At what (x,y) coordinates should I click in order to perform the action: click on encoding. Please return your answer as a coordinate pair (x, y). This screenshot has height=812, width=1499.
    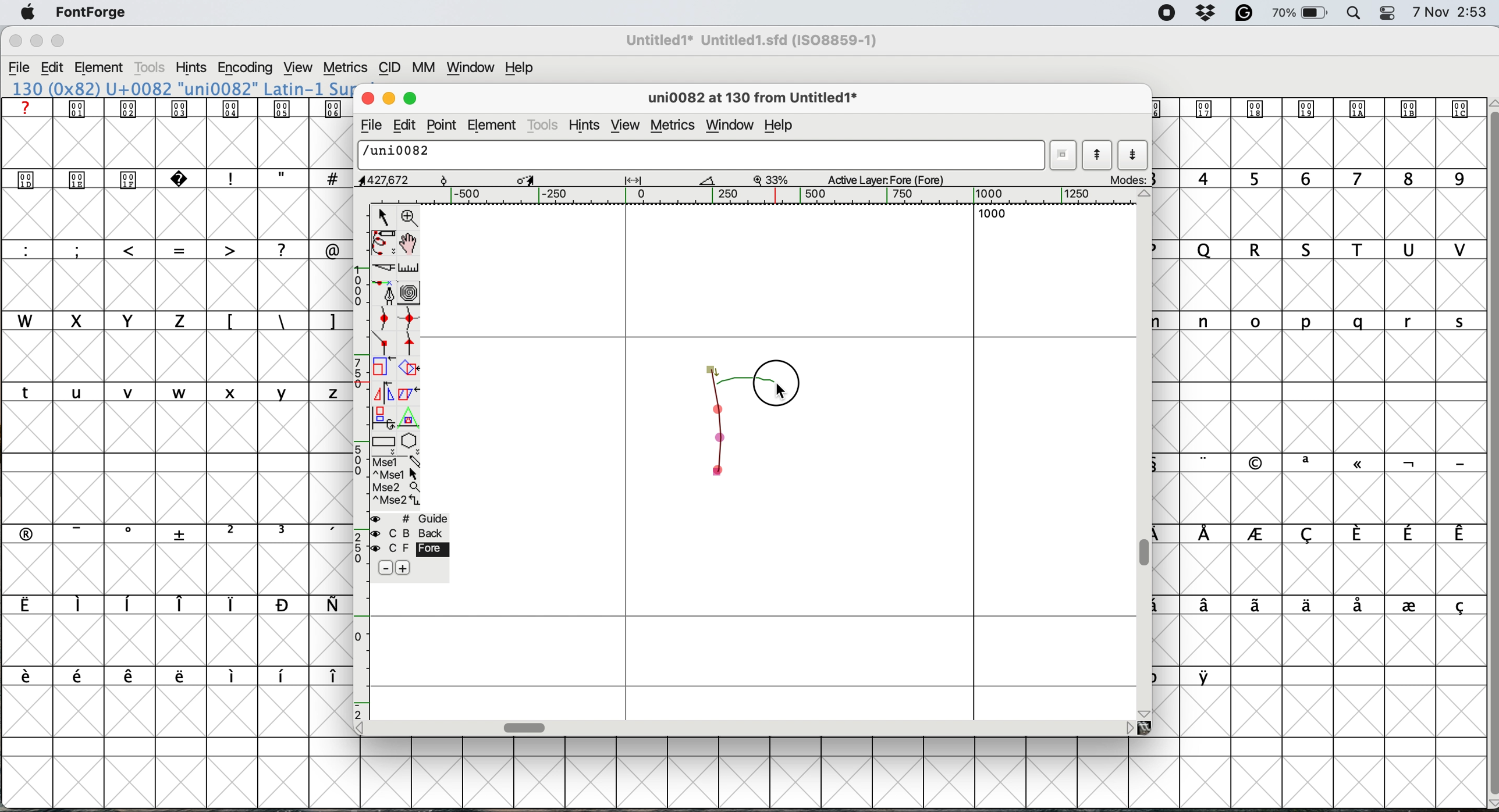
    Looking at the image, I should click on (244, 69).